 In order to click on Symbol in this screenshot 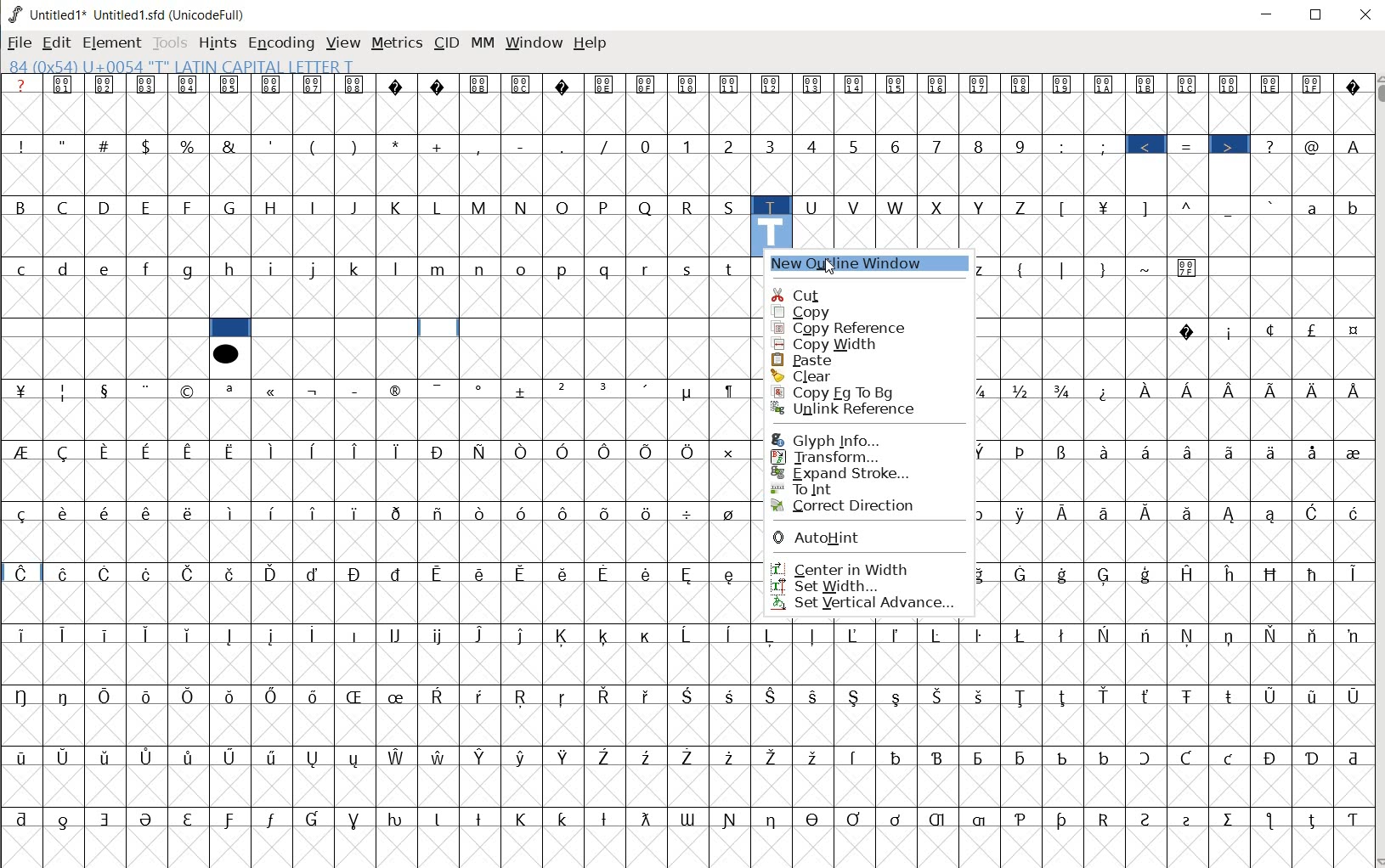, I will do `click(1274, 573)`.